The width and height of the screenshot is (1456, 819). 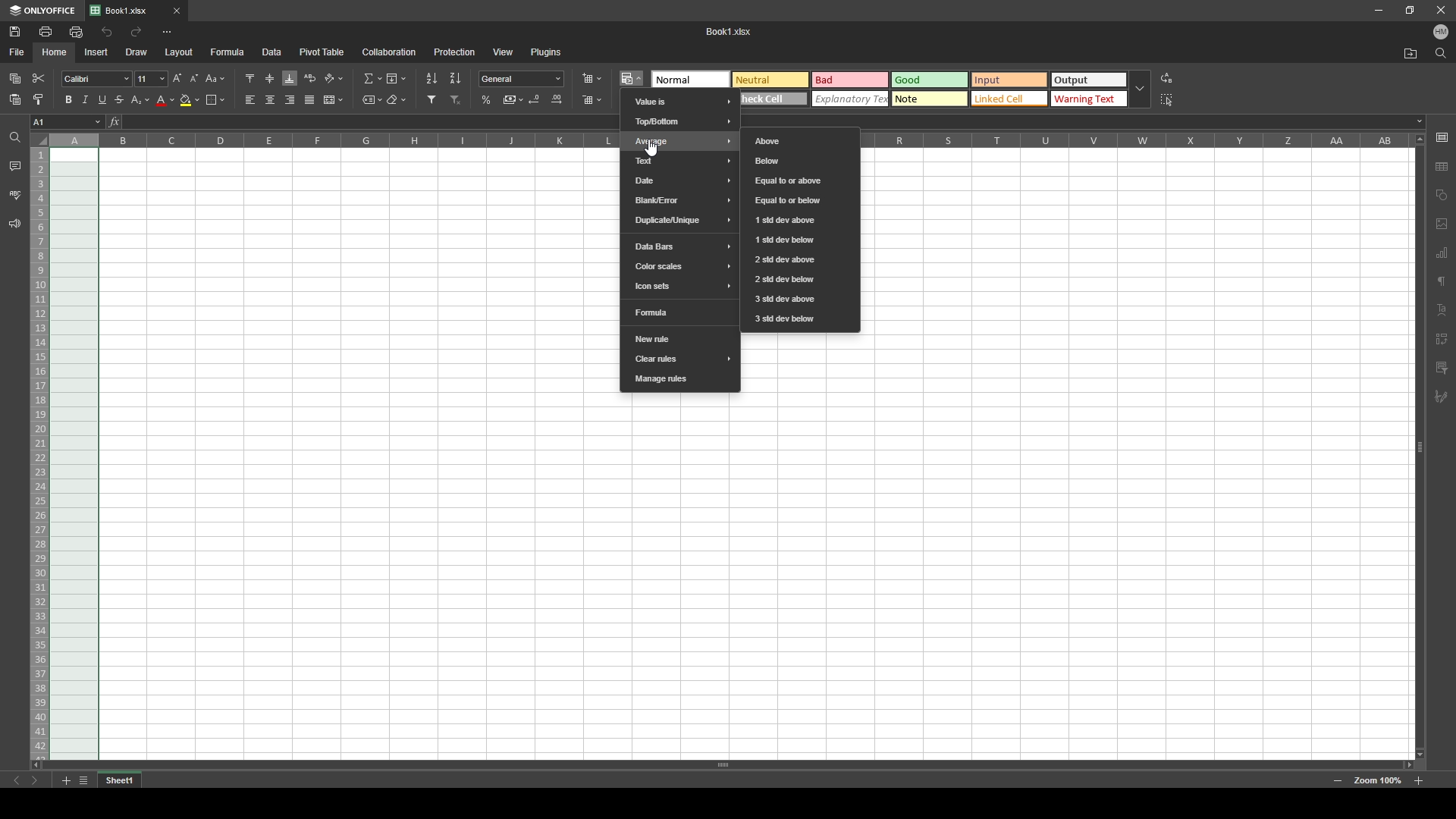 What do you see at coordinates (359, 453) in the screenshot?
I see `cells` at bounding box center [359, 453].